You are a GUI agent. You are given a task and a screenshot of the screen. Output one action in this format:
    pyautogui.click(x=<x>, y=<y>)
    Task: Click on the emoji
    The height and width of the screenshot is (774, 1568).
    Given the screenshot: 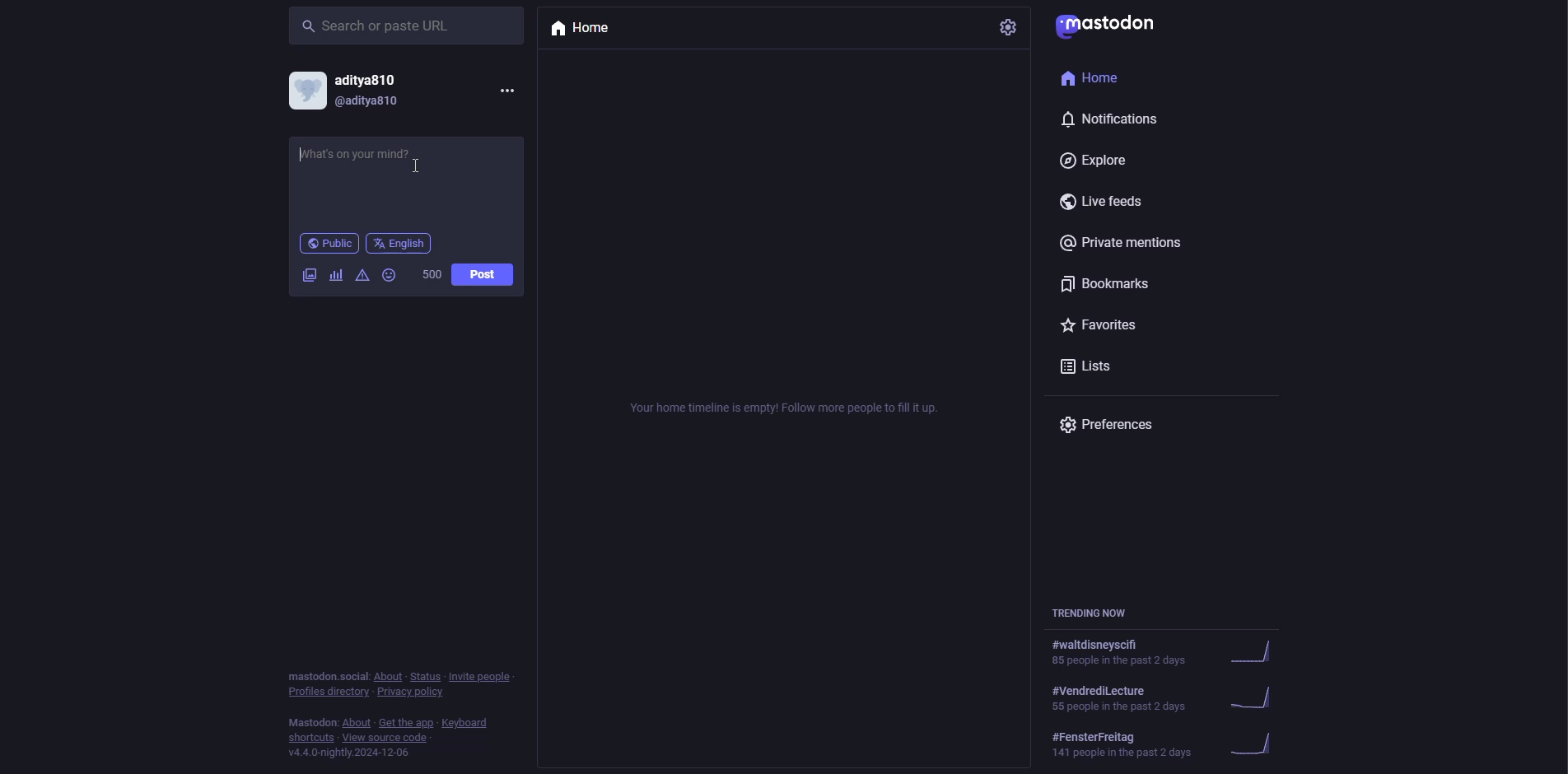 What is the action you would take?
    pyautogui.click(x=390, y=275)
    